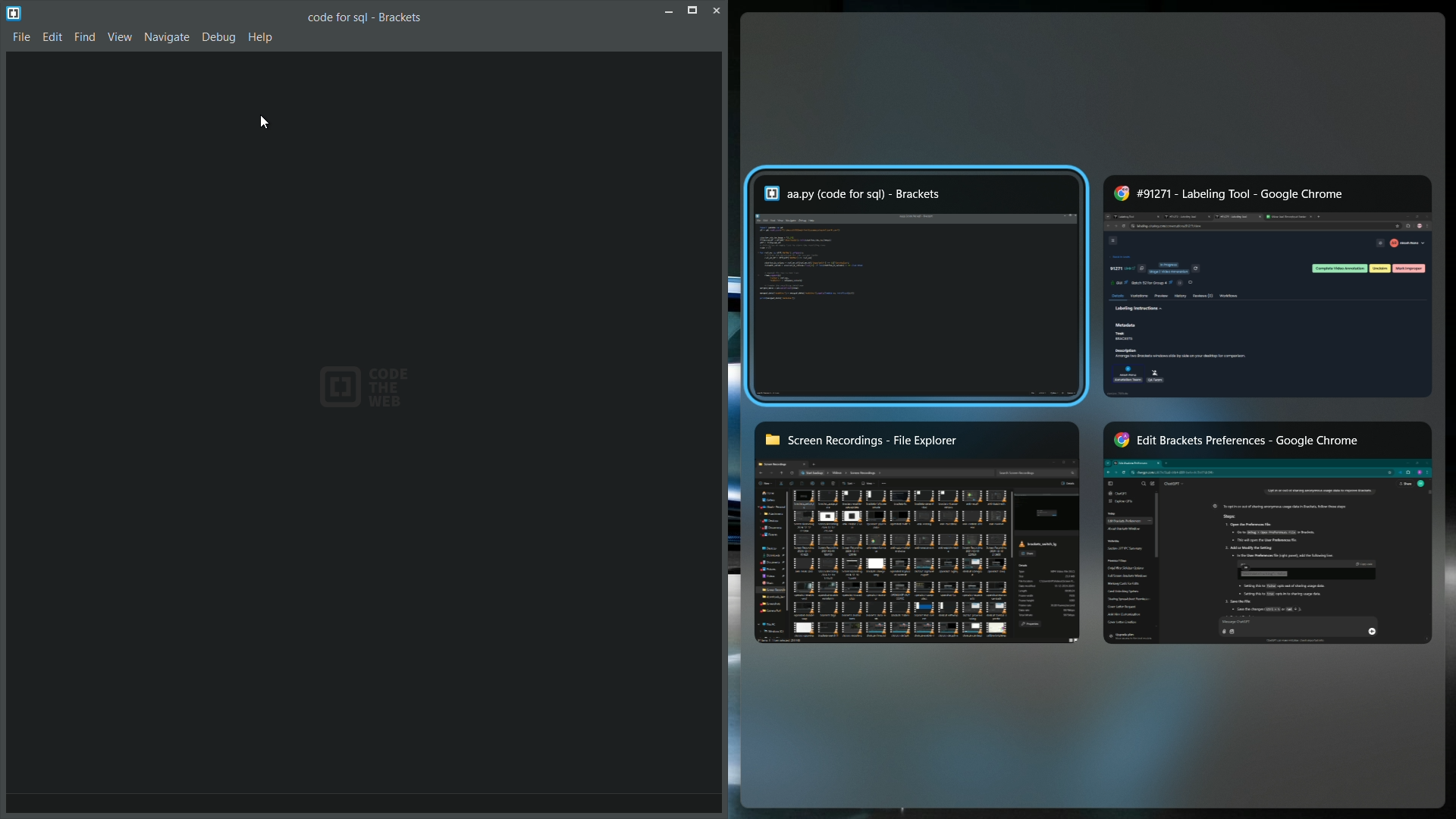 The width and height of the screenshot is (1456, 819). Describe the element at coordinates (1263, 287) in the screenshot. I see `chrome window` at that location.